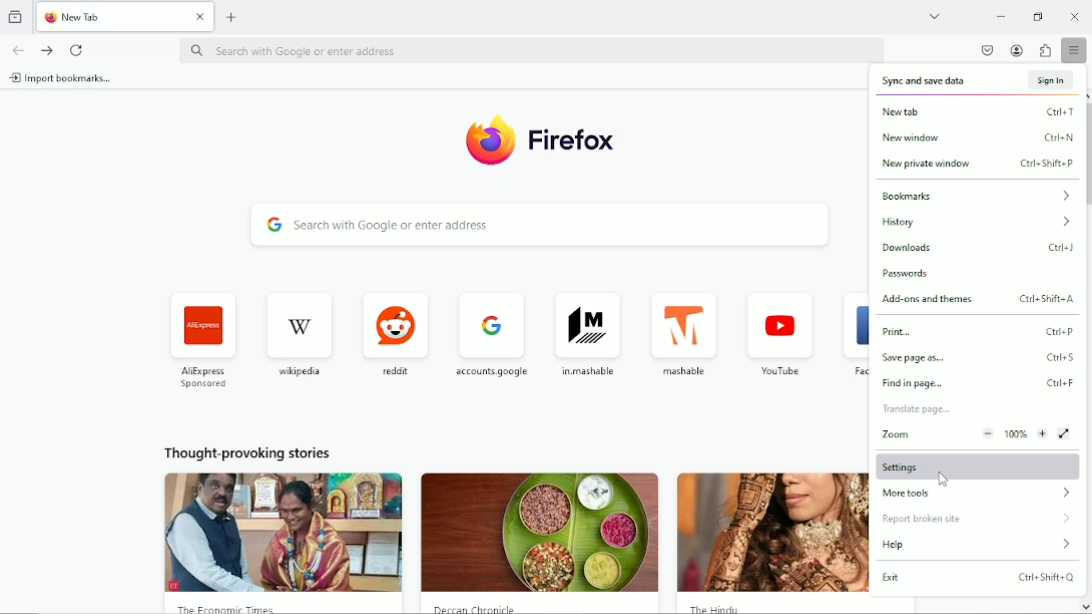 This screenshot has height=614, width=1092. I want to click on reddit, so click(394, 332).